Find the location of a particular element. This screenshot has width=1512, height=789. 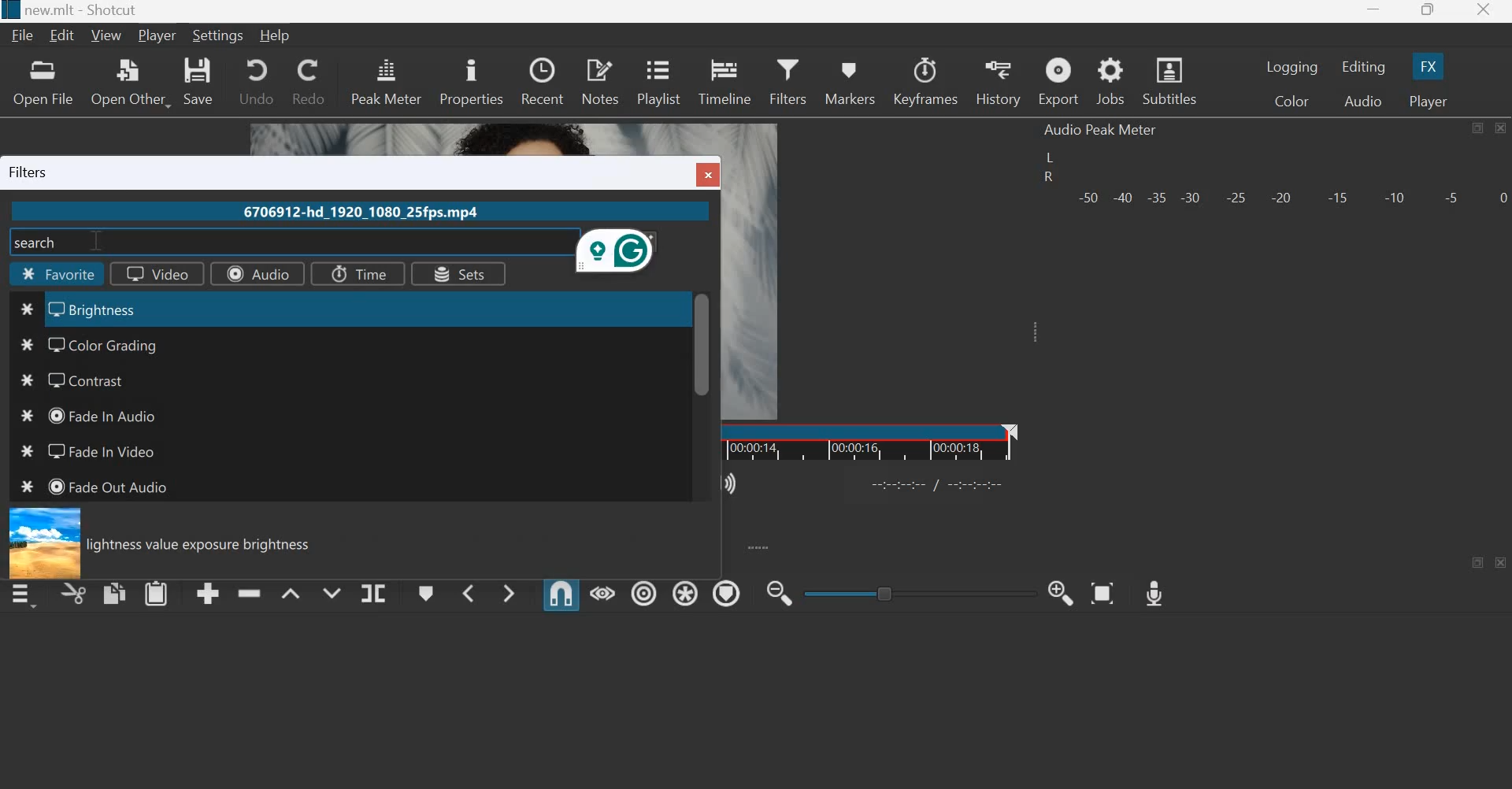

timeline is located at coordinates (726, 80).